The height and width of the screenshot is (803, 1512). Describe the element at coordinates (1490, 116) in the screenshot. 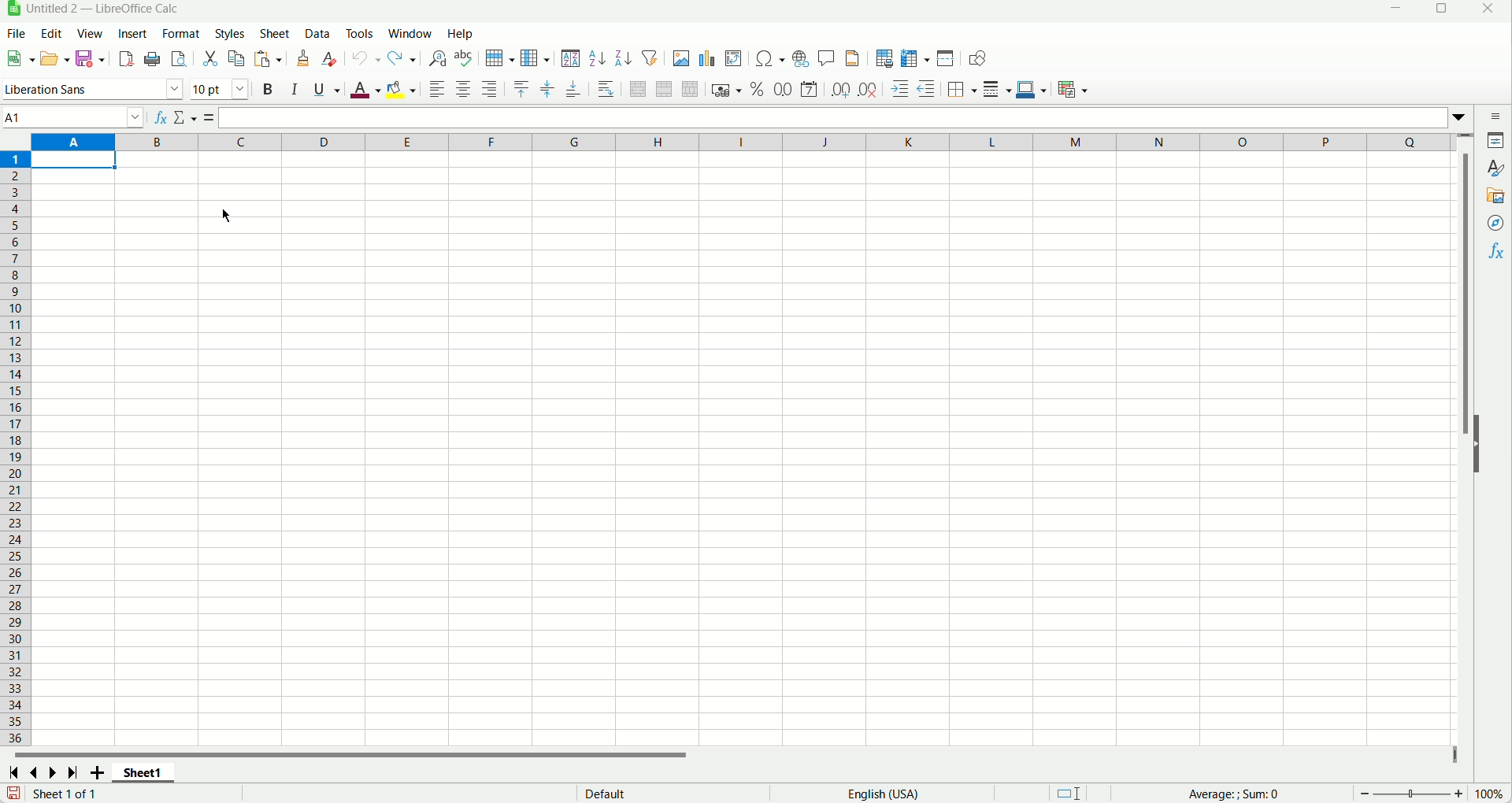

I see `Sidebar settings` at that location.